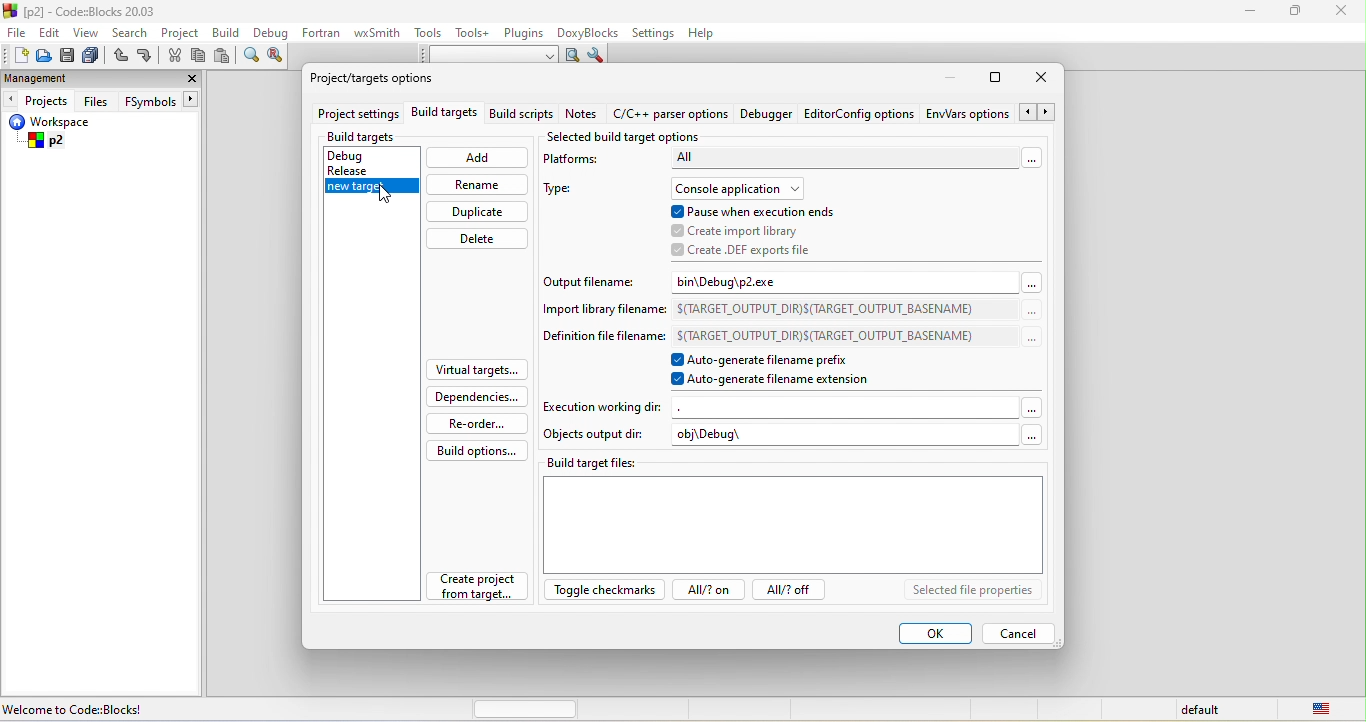 Image resolution: width=1366 pixels, height=722 pixels. Describe the element at coordinates (933, 634) in the screenshot. I see `ok` at that location.